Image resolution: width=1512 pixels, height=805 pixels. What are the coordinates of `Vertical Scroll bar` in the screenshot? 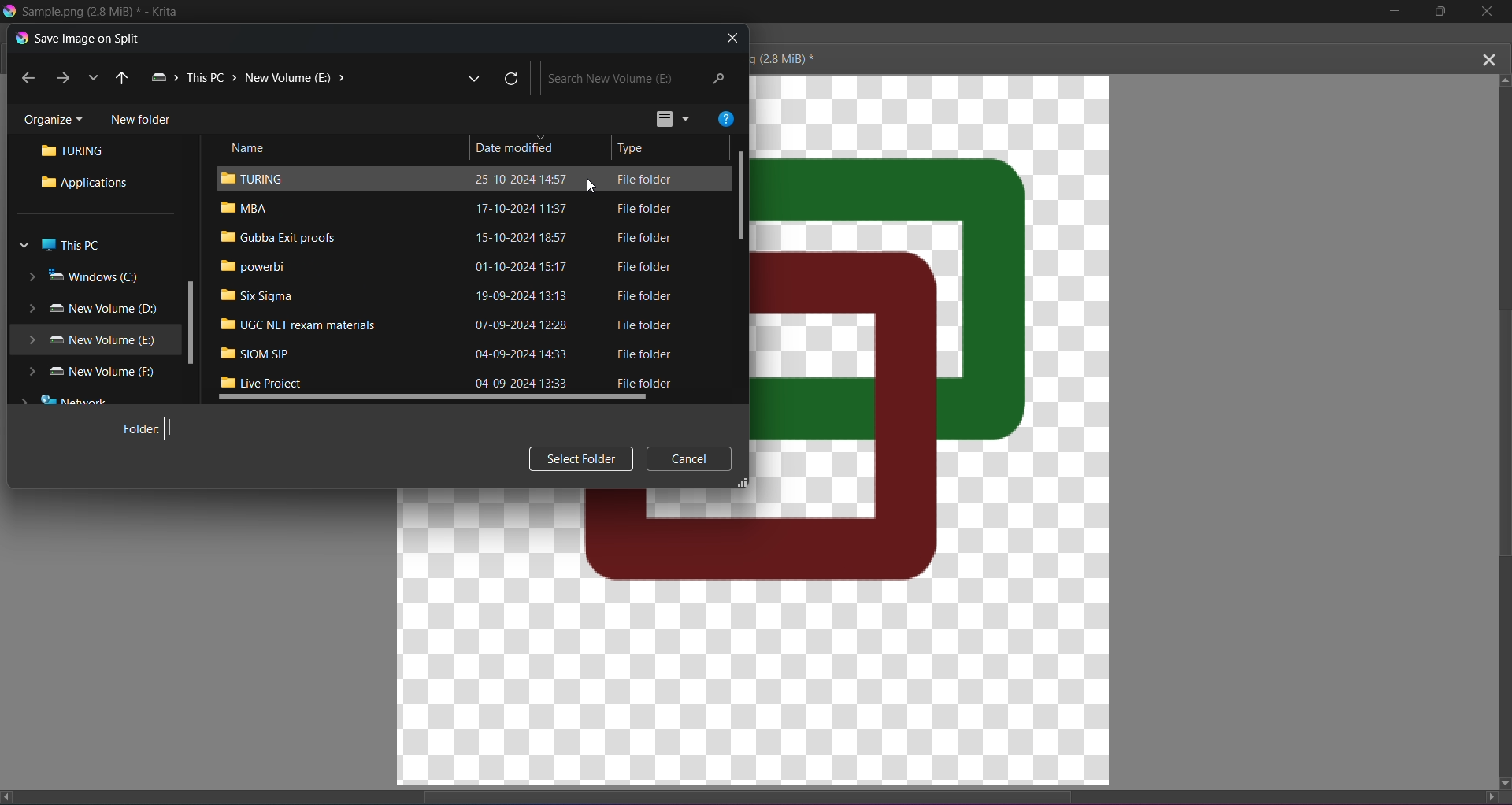 It's located at (1494, 428).